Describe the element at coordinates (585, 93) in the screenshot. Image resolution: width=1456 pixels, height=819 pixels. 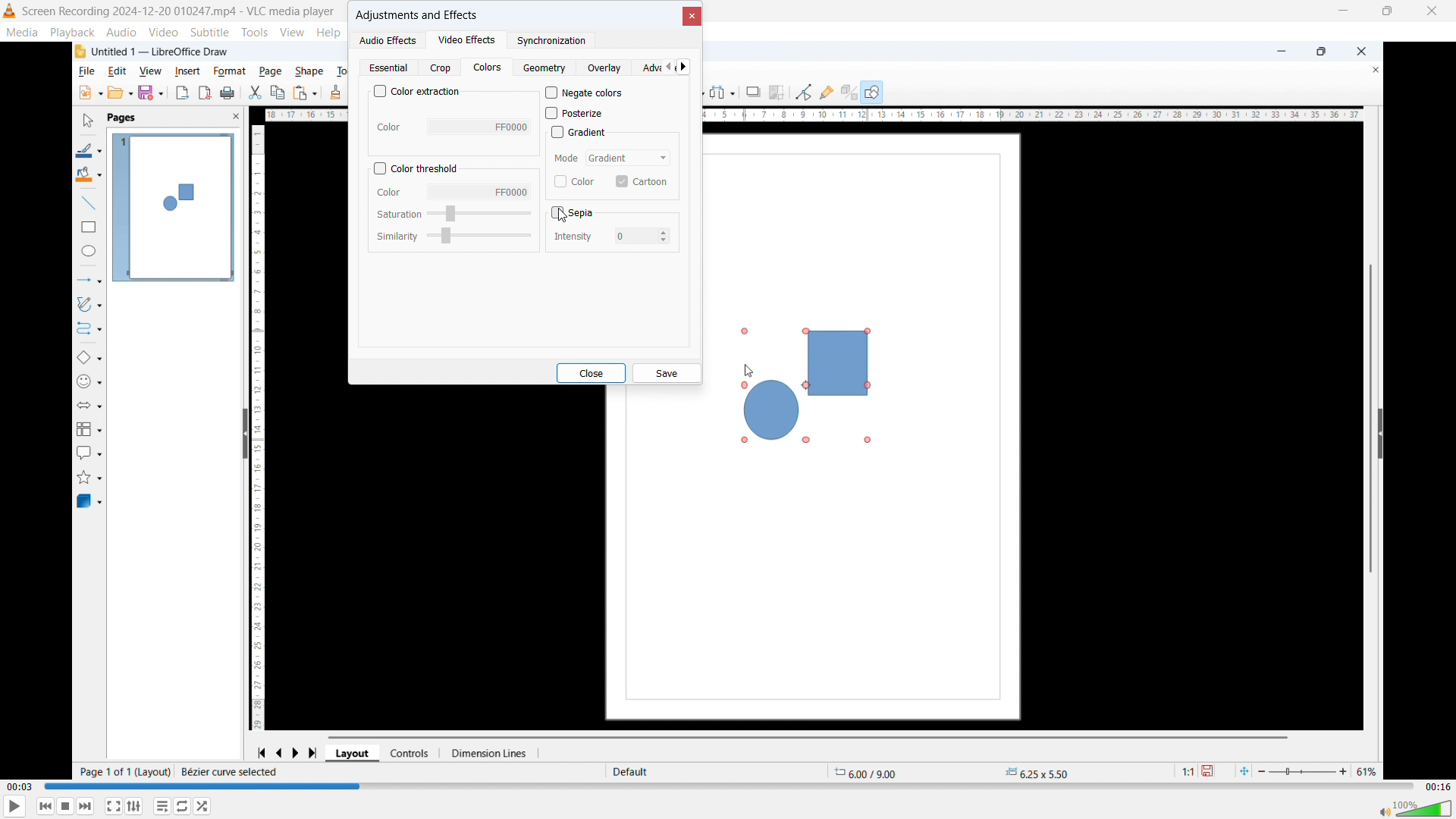
I see `Negate colours ` at that location.